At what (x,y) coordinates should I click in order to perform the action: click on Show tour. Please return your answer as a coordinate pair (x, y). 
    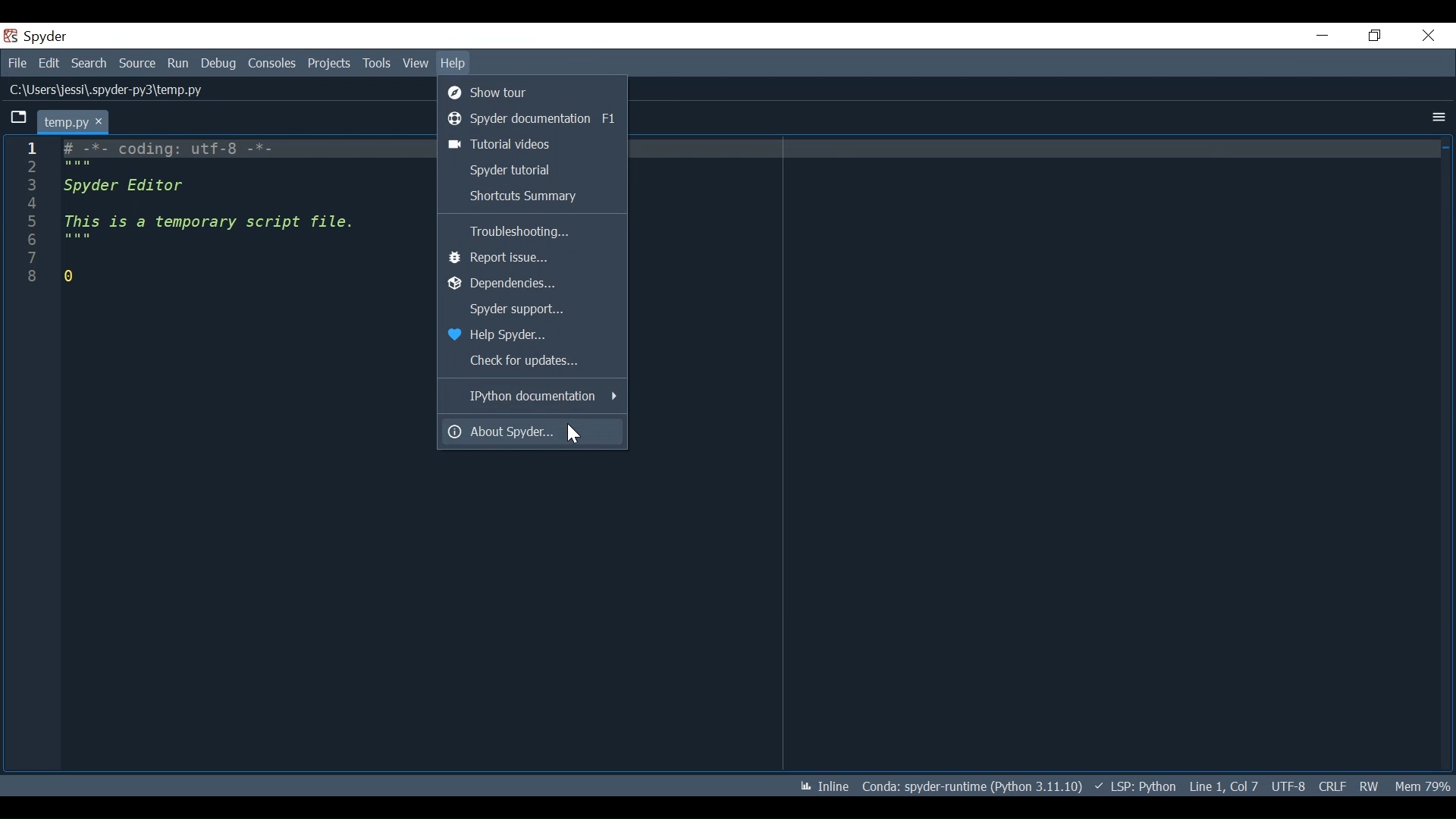
    Looking at the image, I should click on (535, 93).